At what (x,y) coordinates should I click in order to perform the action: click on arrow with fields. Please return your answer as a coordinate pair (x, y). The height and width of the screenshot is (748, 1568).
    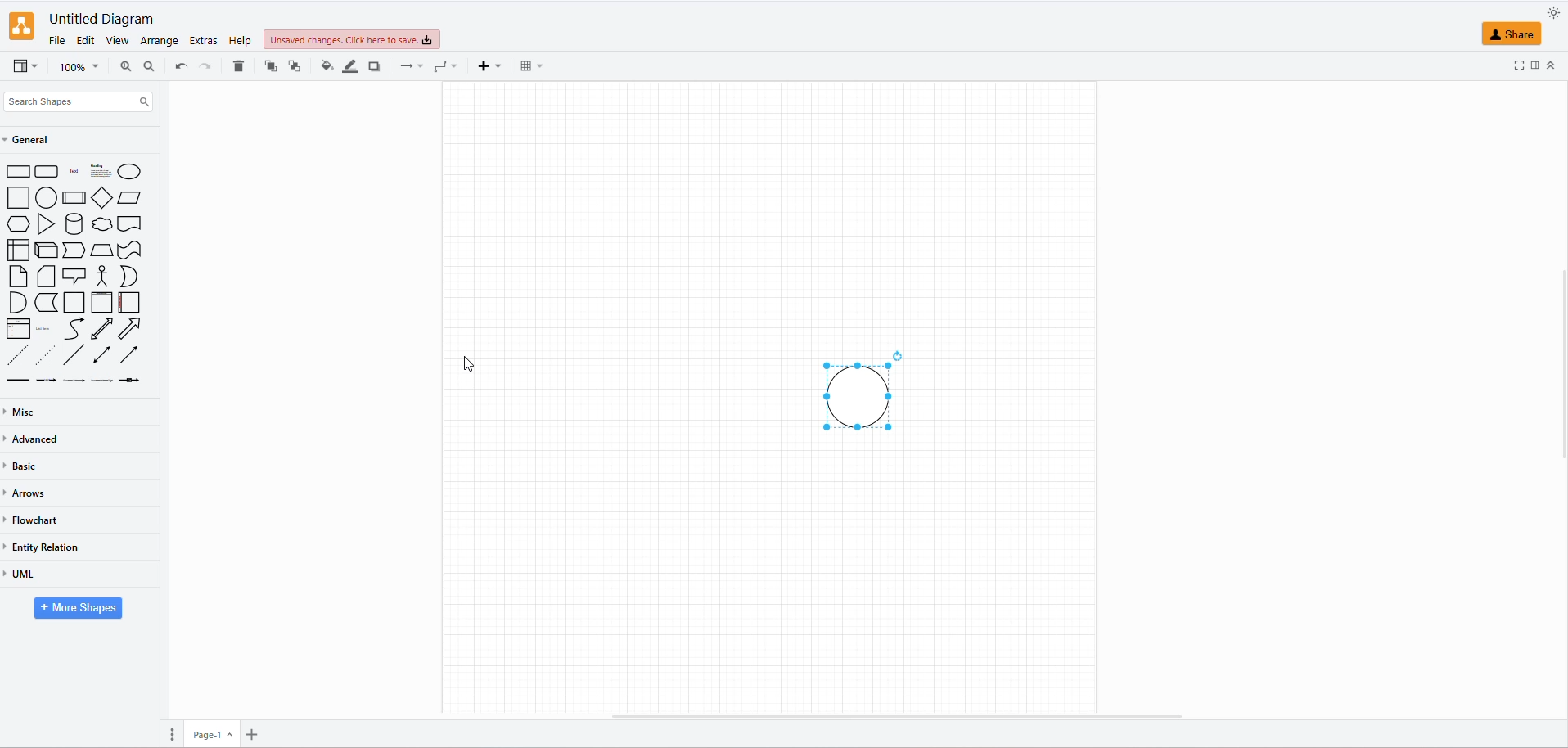
    Looking at the image, I should click on (133, 382).